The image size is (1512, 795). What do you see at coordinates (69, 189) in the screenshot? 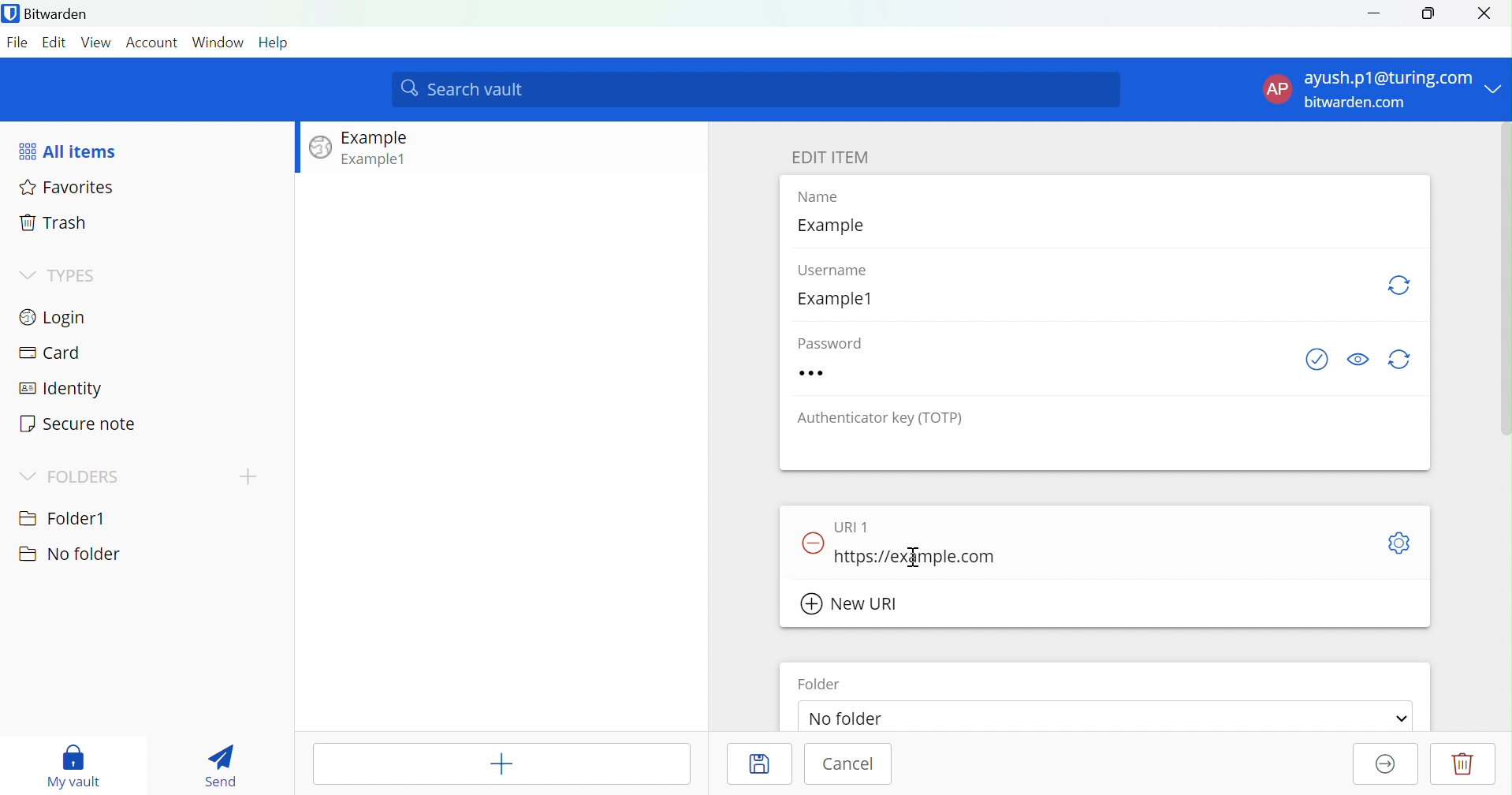
I see `Favorites` at bounding box center [69, 189].